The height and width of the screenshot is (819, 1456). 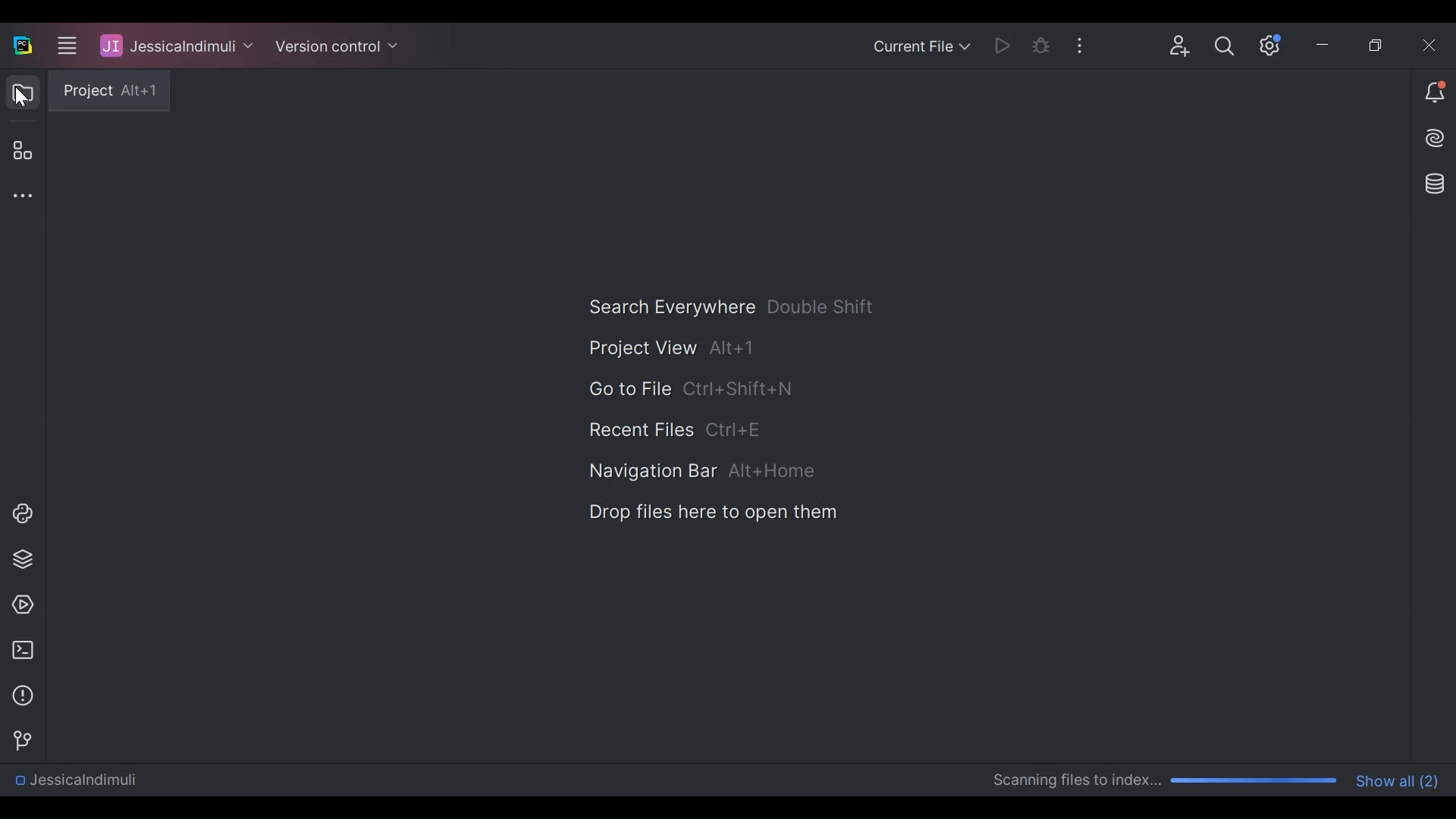 What do you see at coordinates (1378, 45) in the screenshot?
I see `Restore` at bounding box center [1378, 45].